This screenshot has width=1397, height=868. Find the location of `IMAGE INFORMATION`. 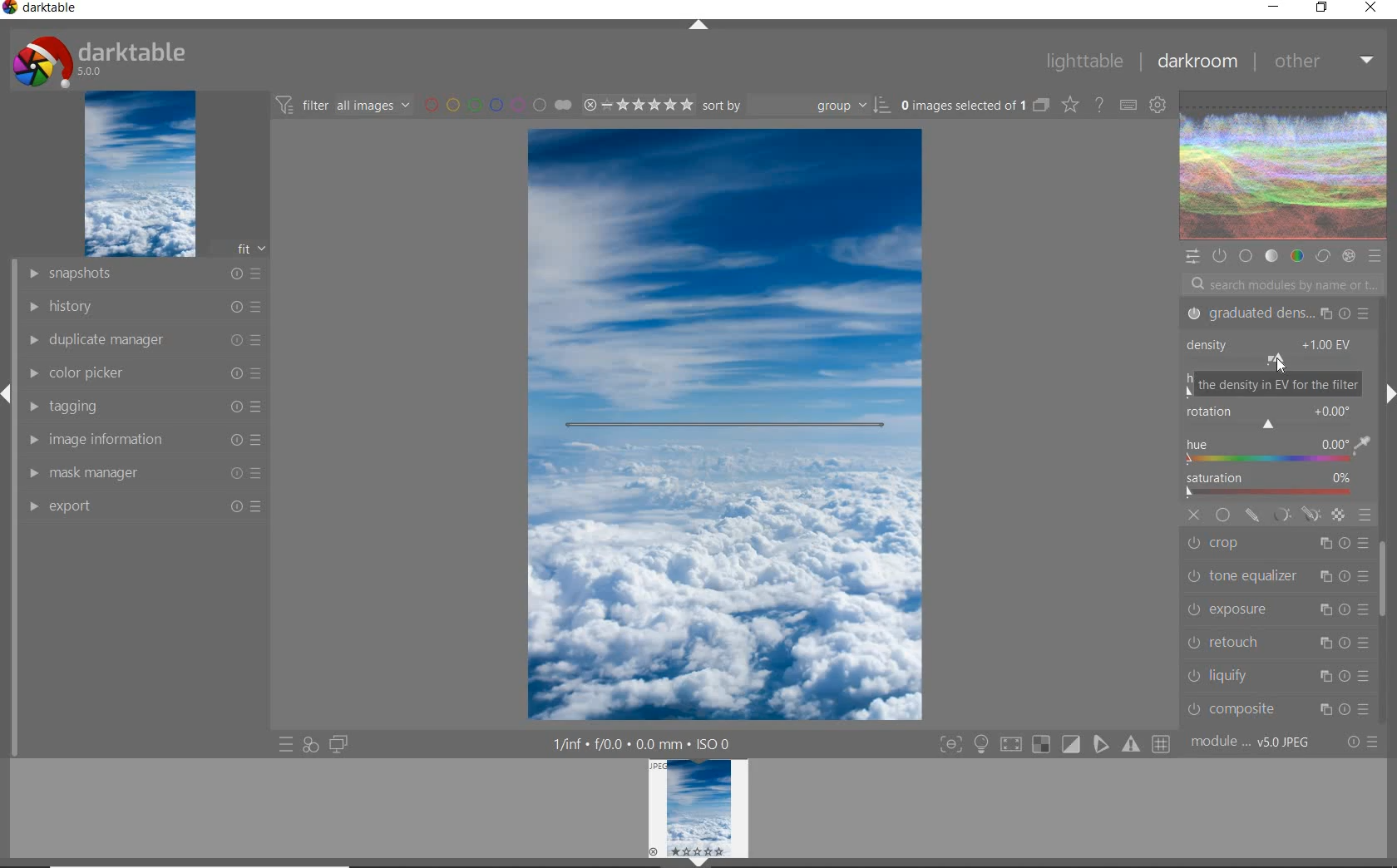

IMAGE INFORMATION is located at coordinates (147, 439).